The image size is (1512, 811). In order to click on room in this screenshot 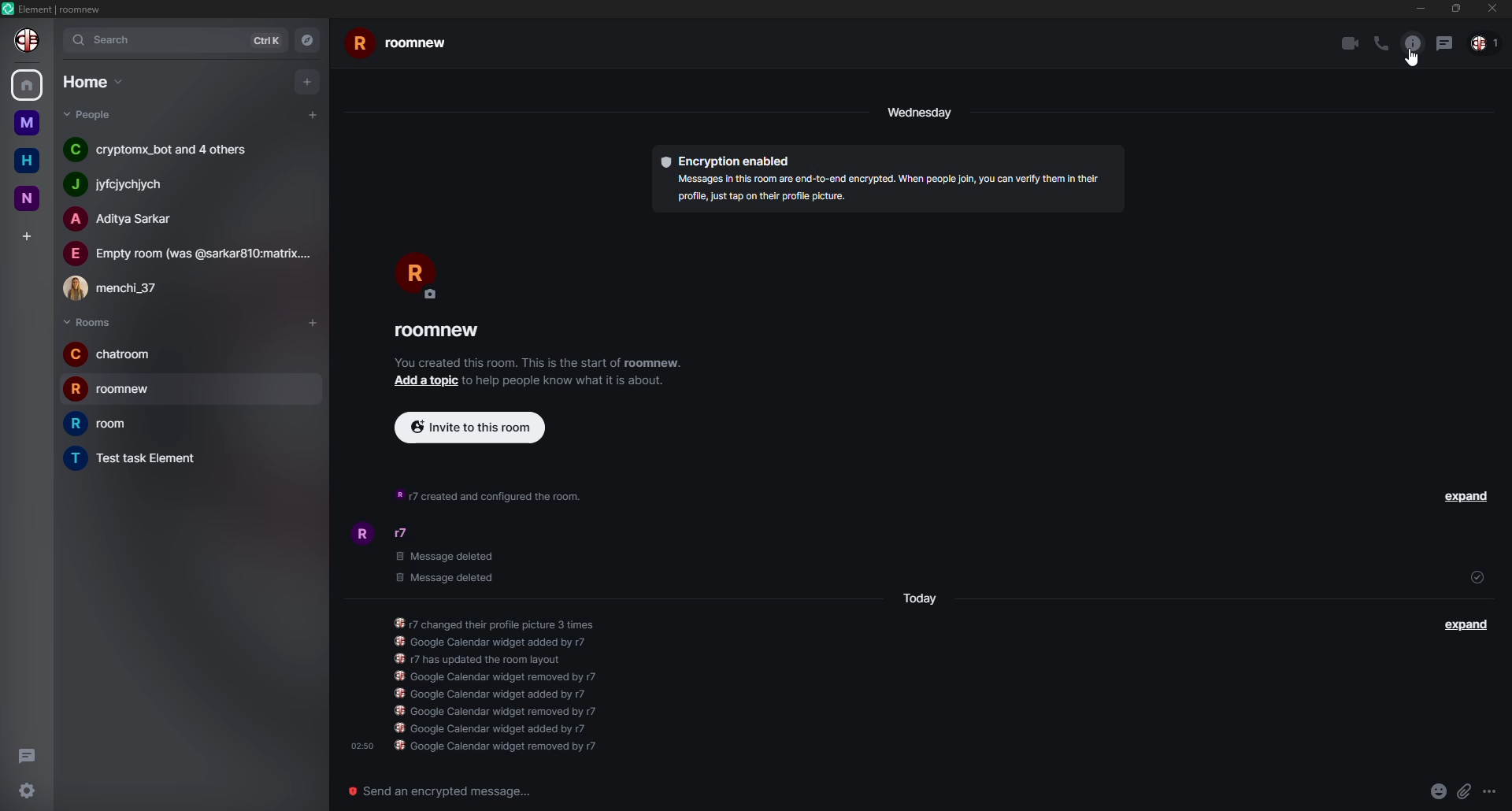, I will do `click(137, 457)`.